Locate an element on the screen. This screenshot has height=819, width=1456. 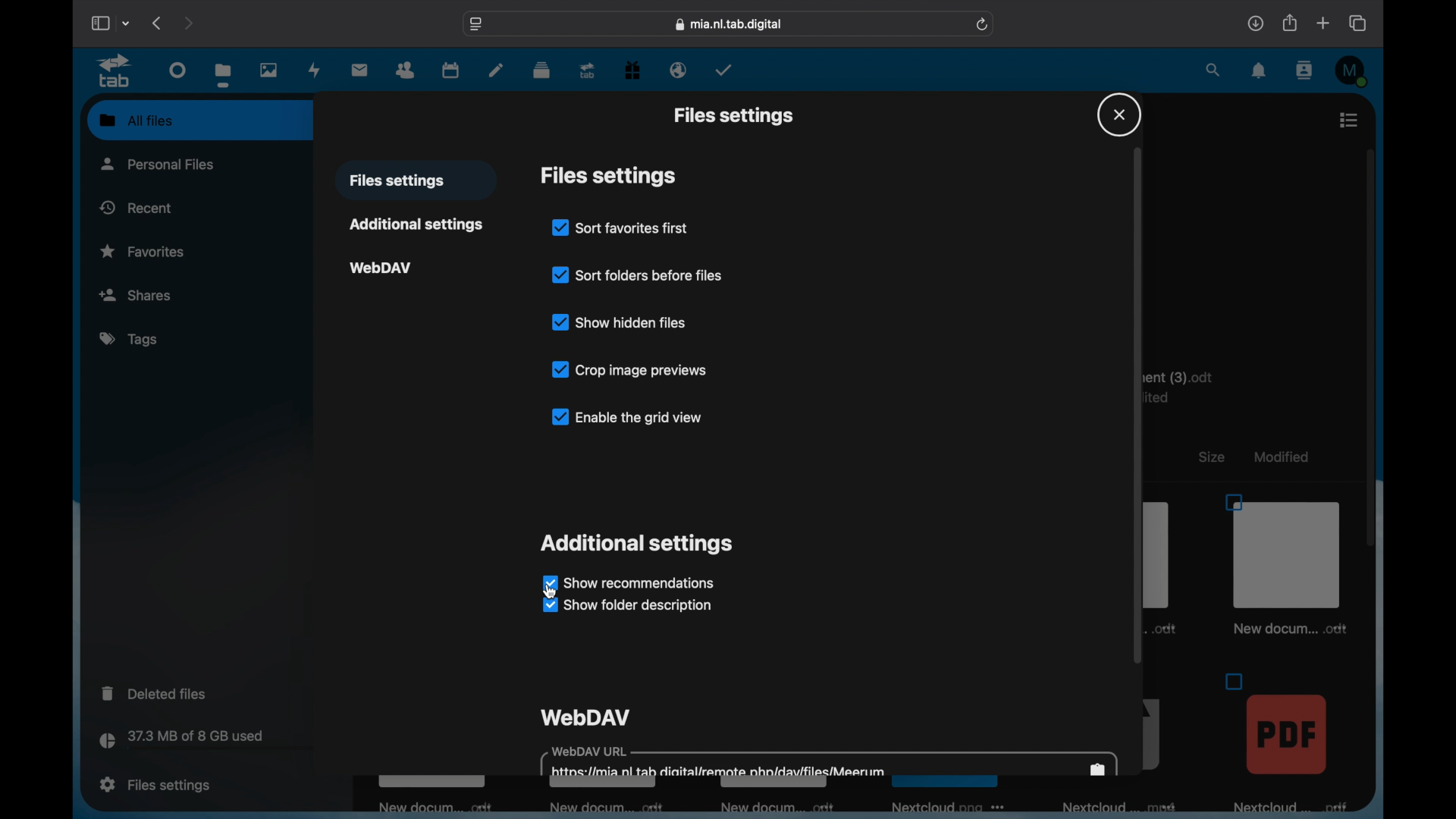
dashboard is located at coordinates (177, 71).